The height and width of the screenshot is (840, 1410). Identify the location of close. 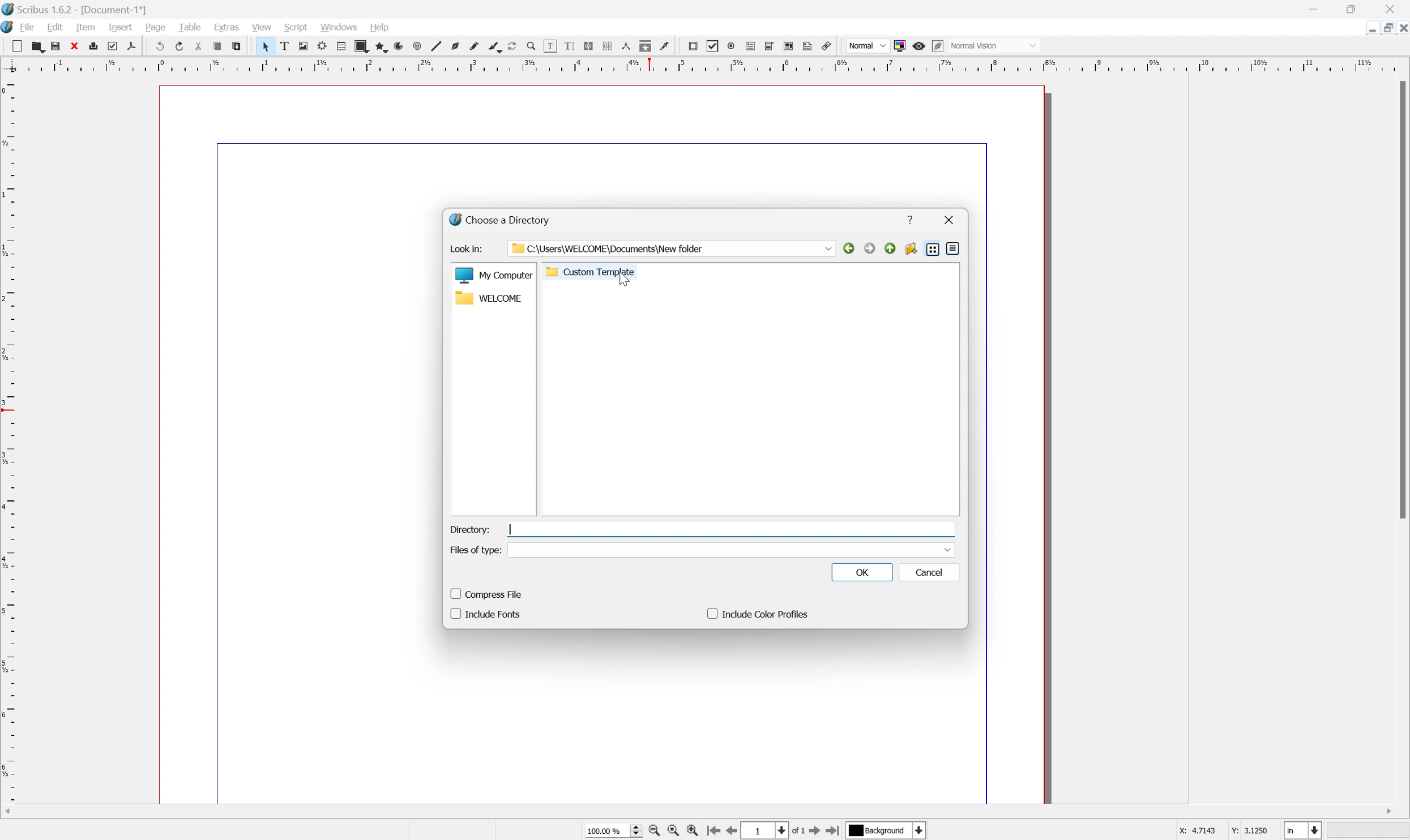
(951, 220).